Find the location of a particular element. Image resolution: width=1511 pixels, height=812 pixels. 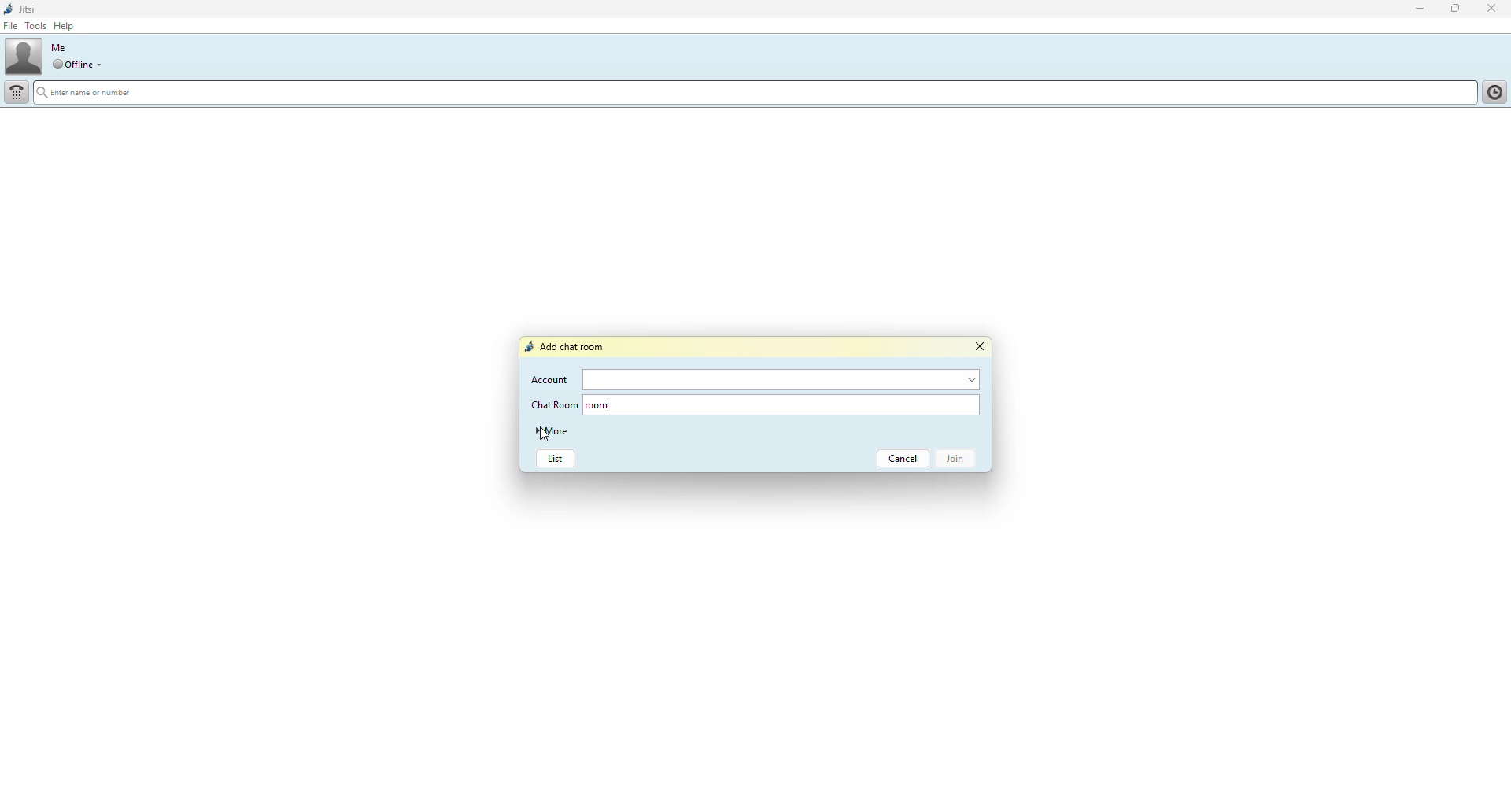

dial pad is located at coordinates (17, 92).